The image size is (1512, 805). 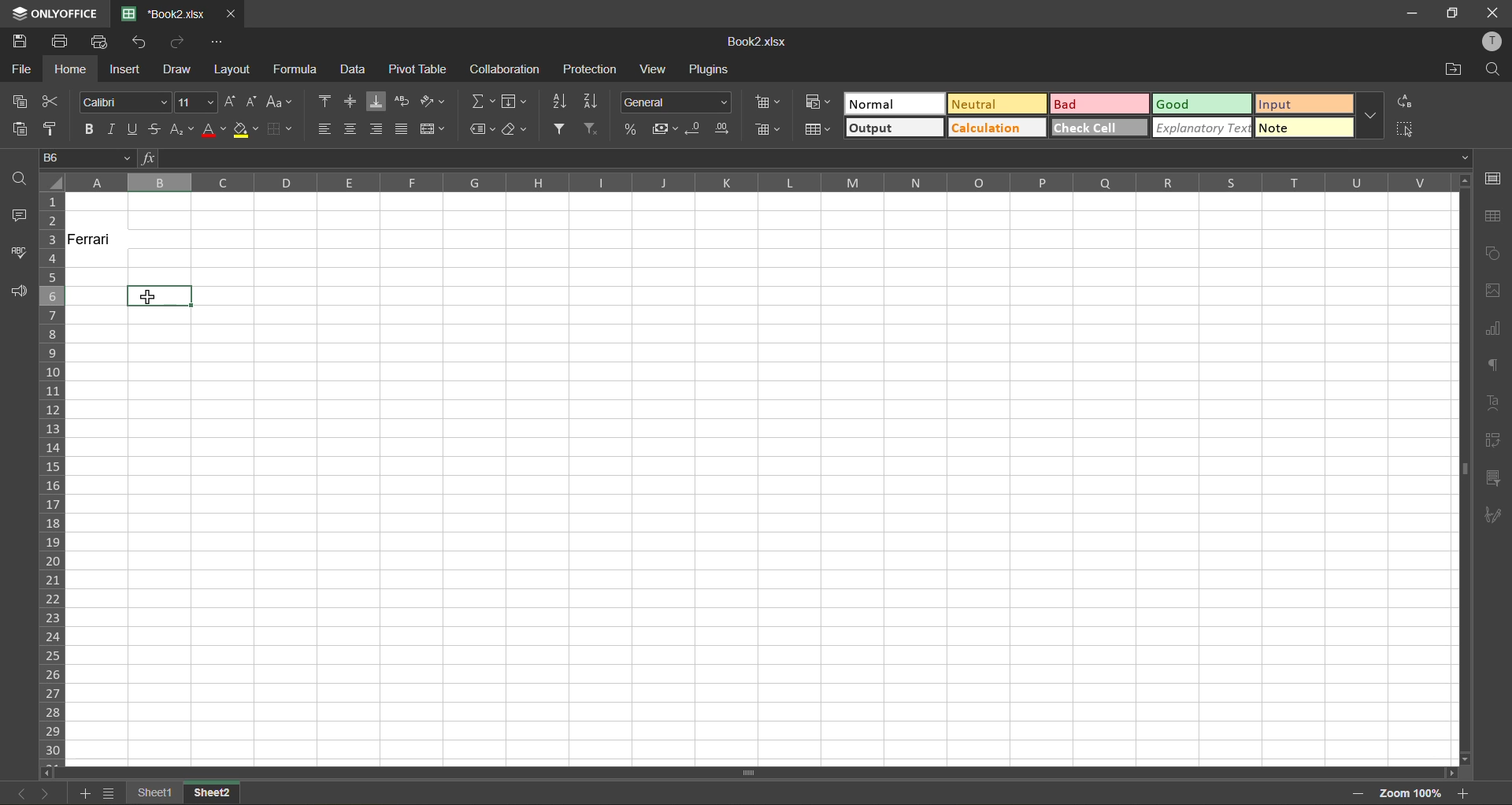 What do you see at coordinates (356, 70) in the screenshot?
I see `data` at bounding box center [356, 70].